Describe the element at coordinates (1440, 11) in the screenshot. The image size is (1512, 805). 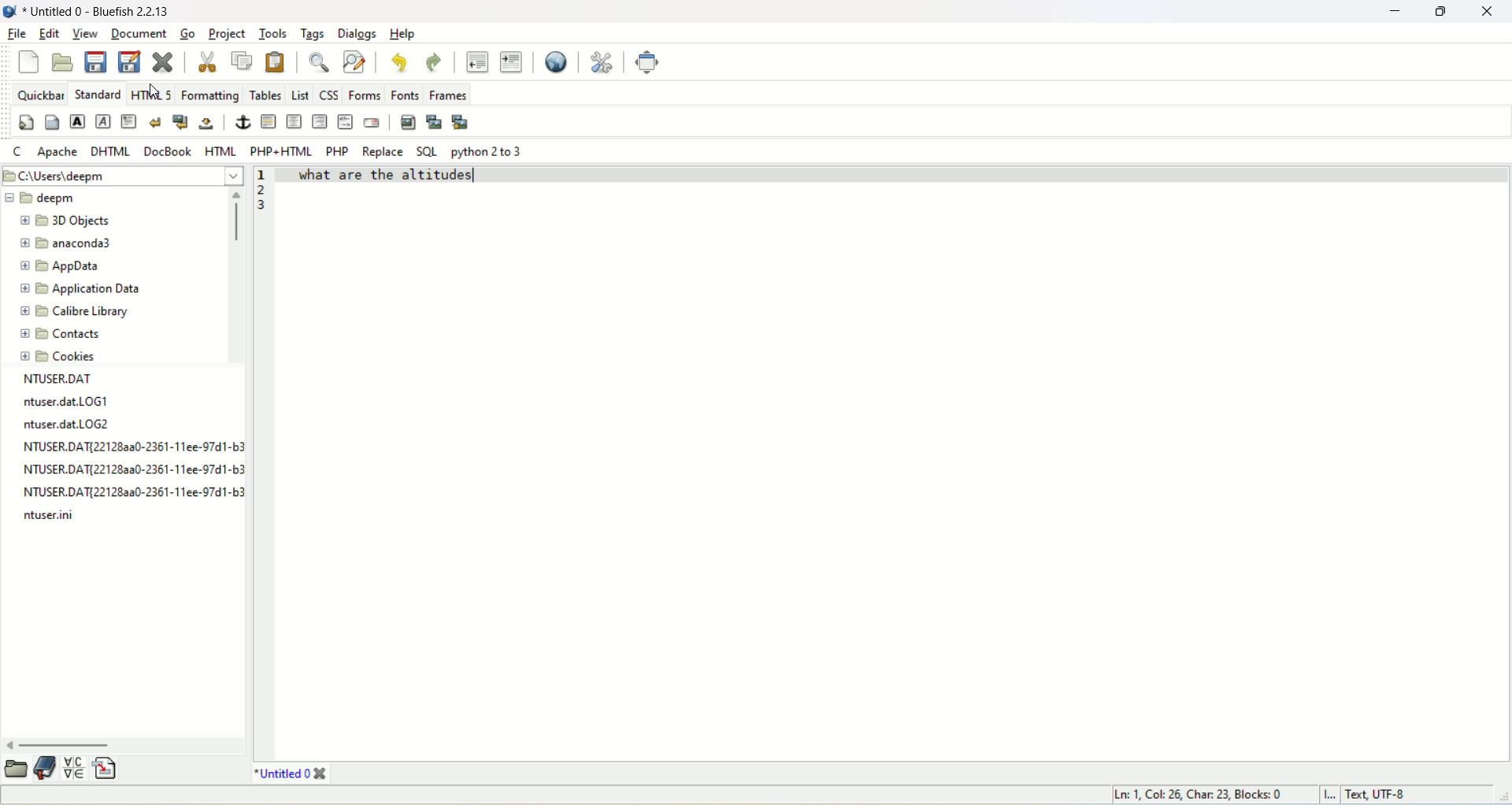
I see `restore down` at that location.